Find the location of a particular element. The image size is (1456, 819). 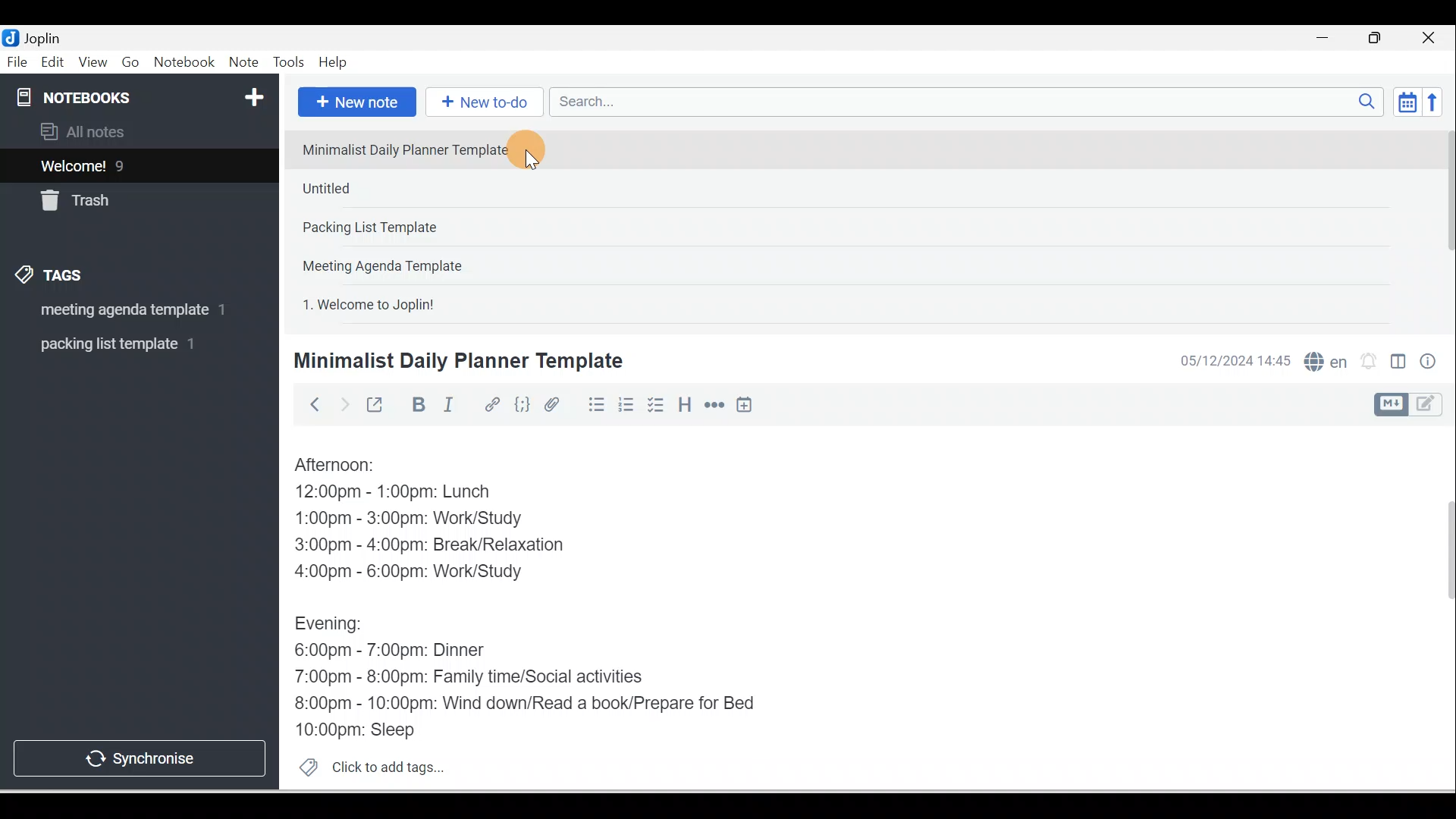

Search bar is located at coordinates (971, 102).